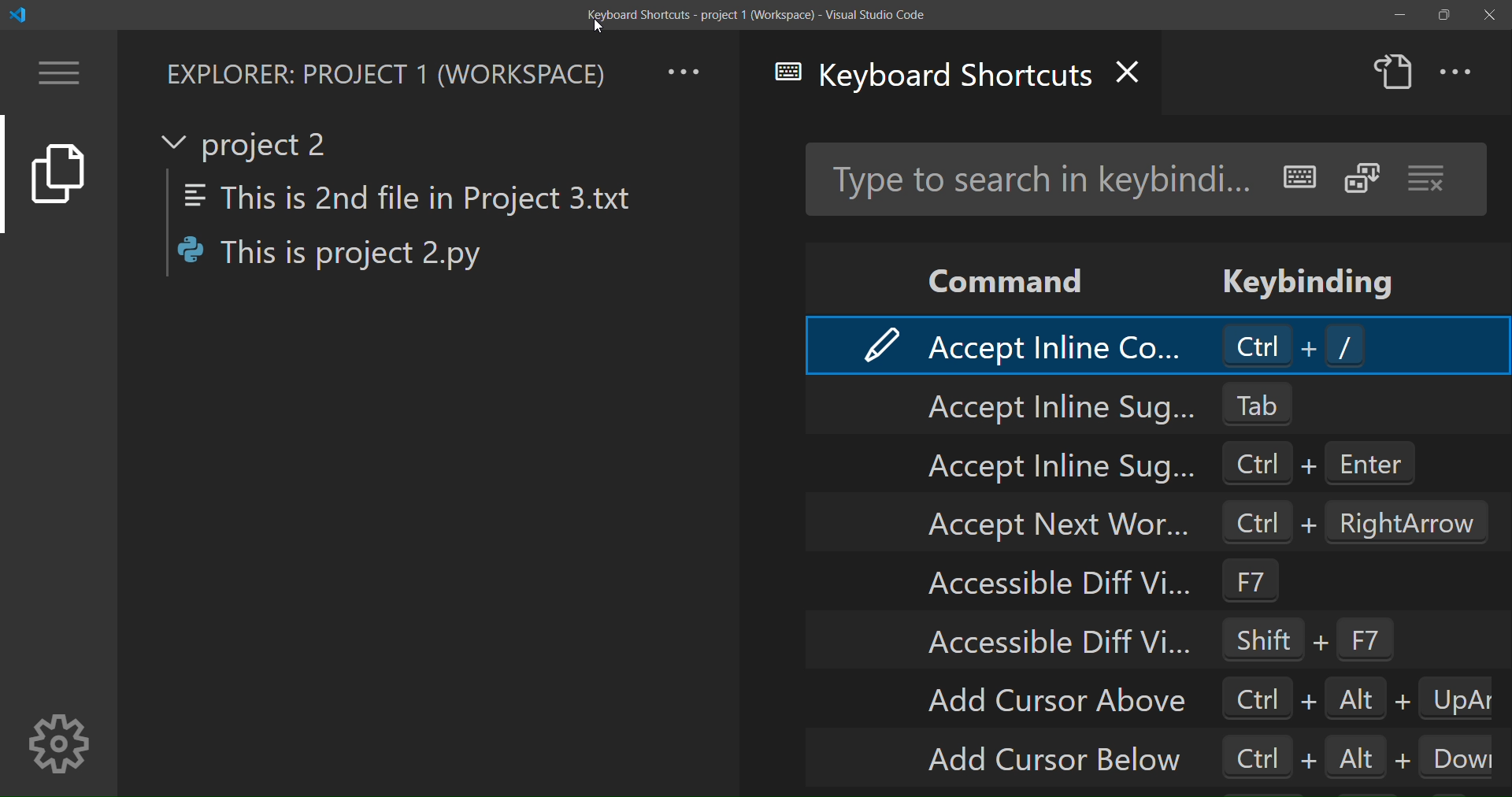 Image resolution: width=1512 pixels, height=797 pixels. I want to click on accept inline Sug..., so click(1041, 464).